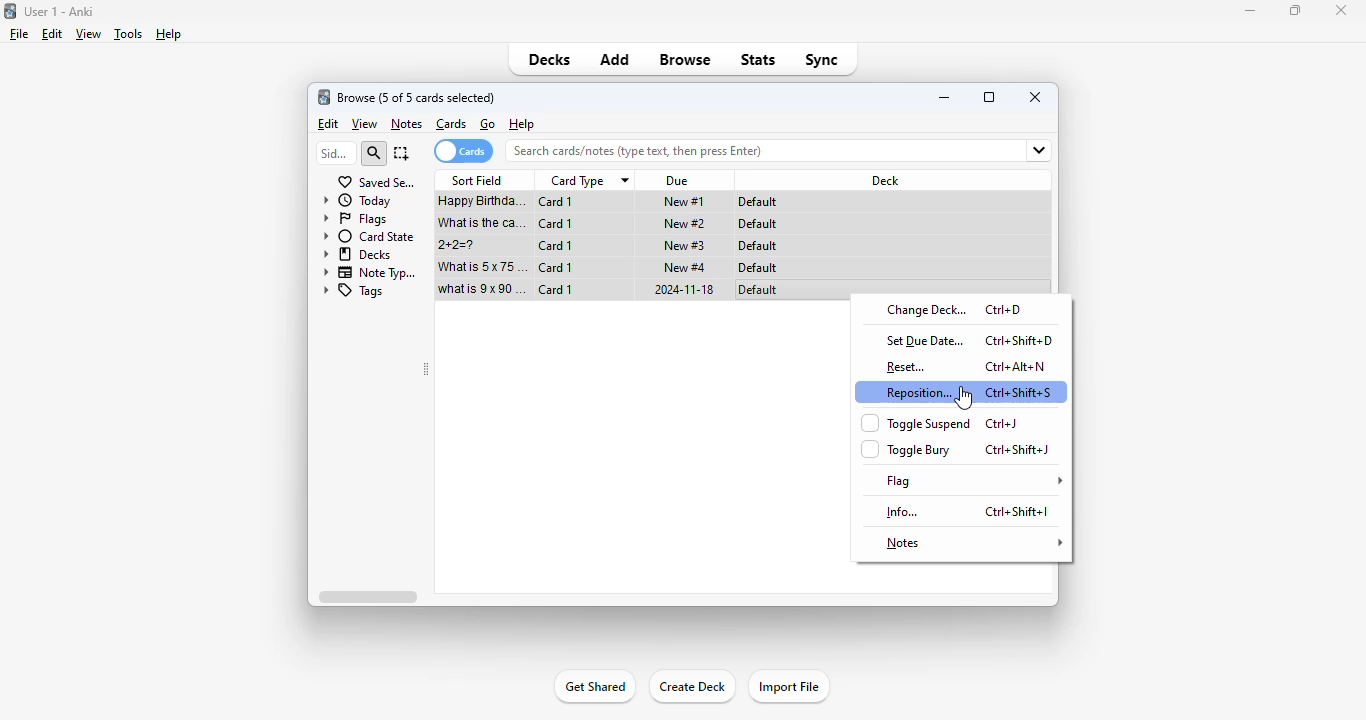 The width and height of the screenshot is (1366, 720). I want to click on view, so click(89, 34).